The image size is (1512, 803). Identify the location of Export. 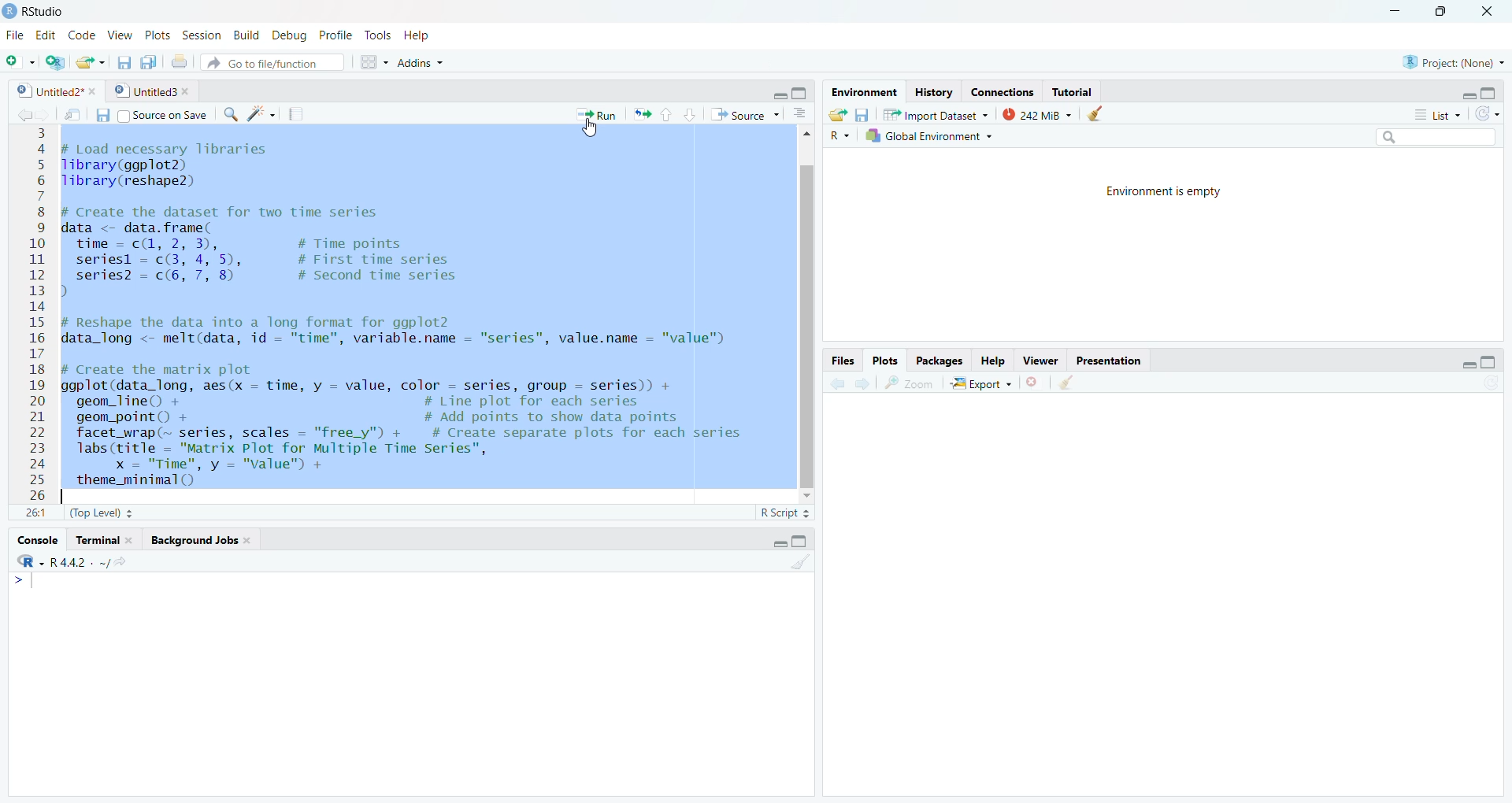
(980, 383).